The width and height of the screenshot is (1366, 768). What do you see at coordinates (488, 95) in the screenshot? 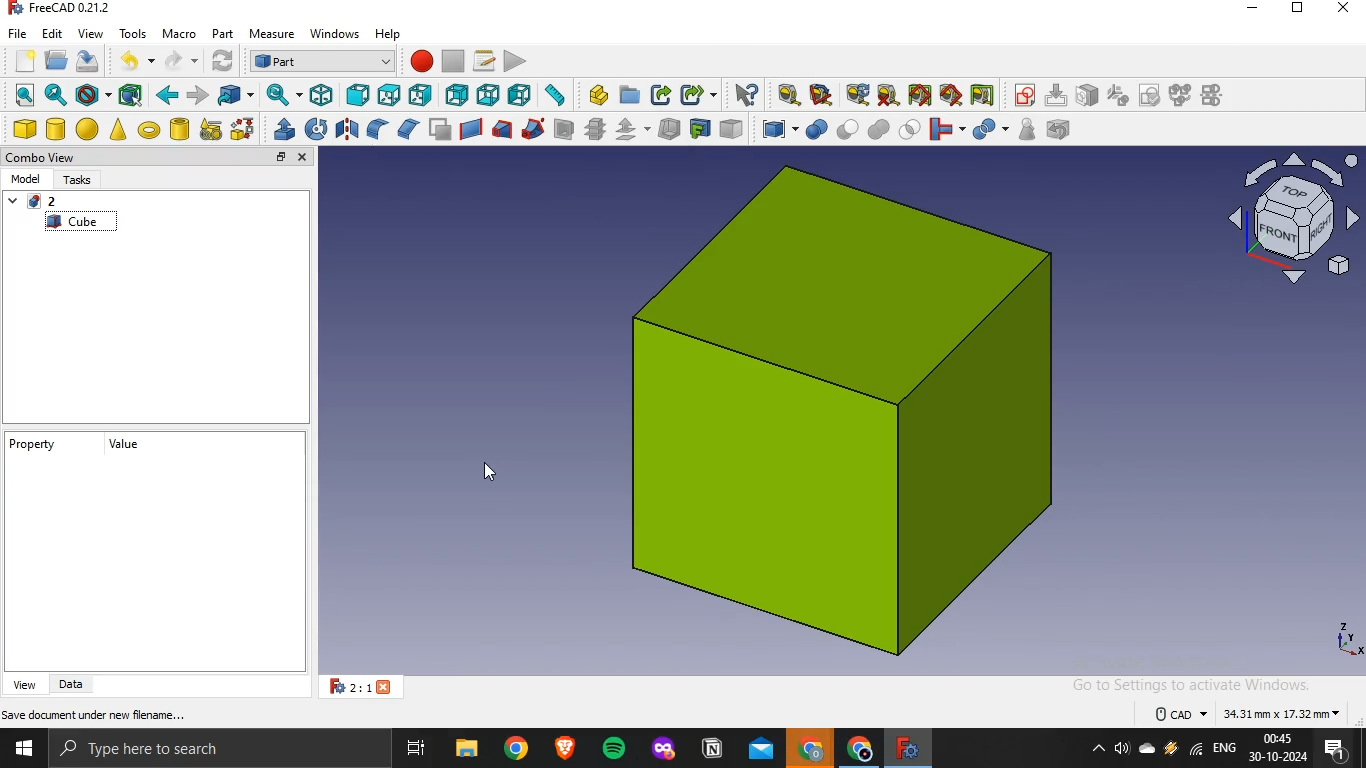
I see `bottom` at bounding box center [488, 95].